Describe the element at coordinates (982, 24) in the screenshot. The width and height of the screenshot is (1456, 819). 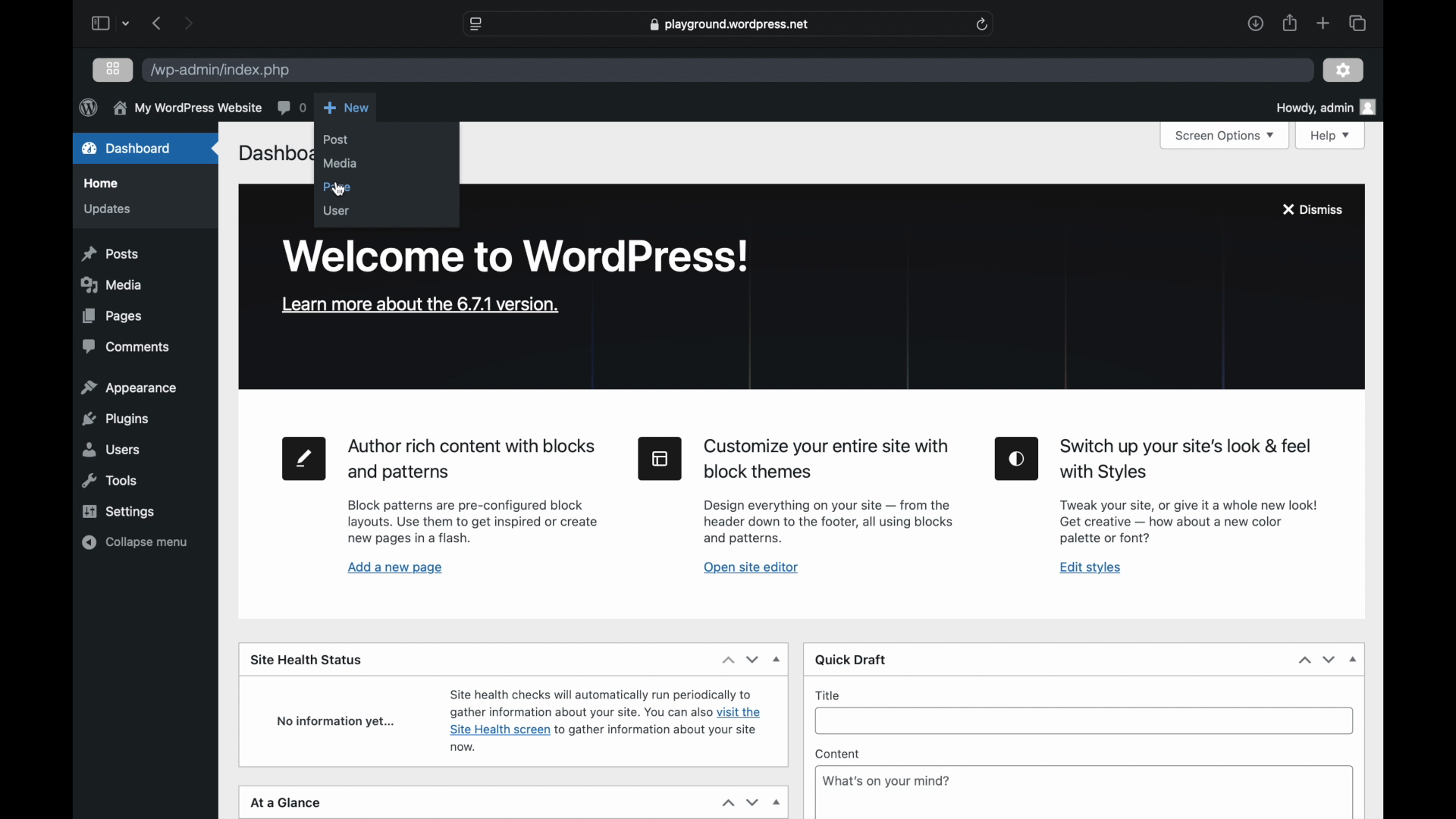
I see `refresh` at that location.